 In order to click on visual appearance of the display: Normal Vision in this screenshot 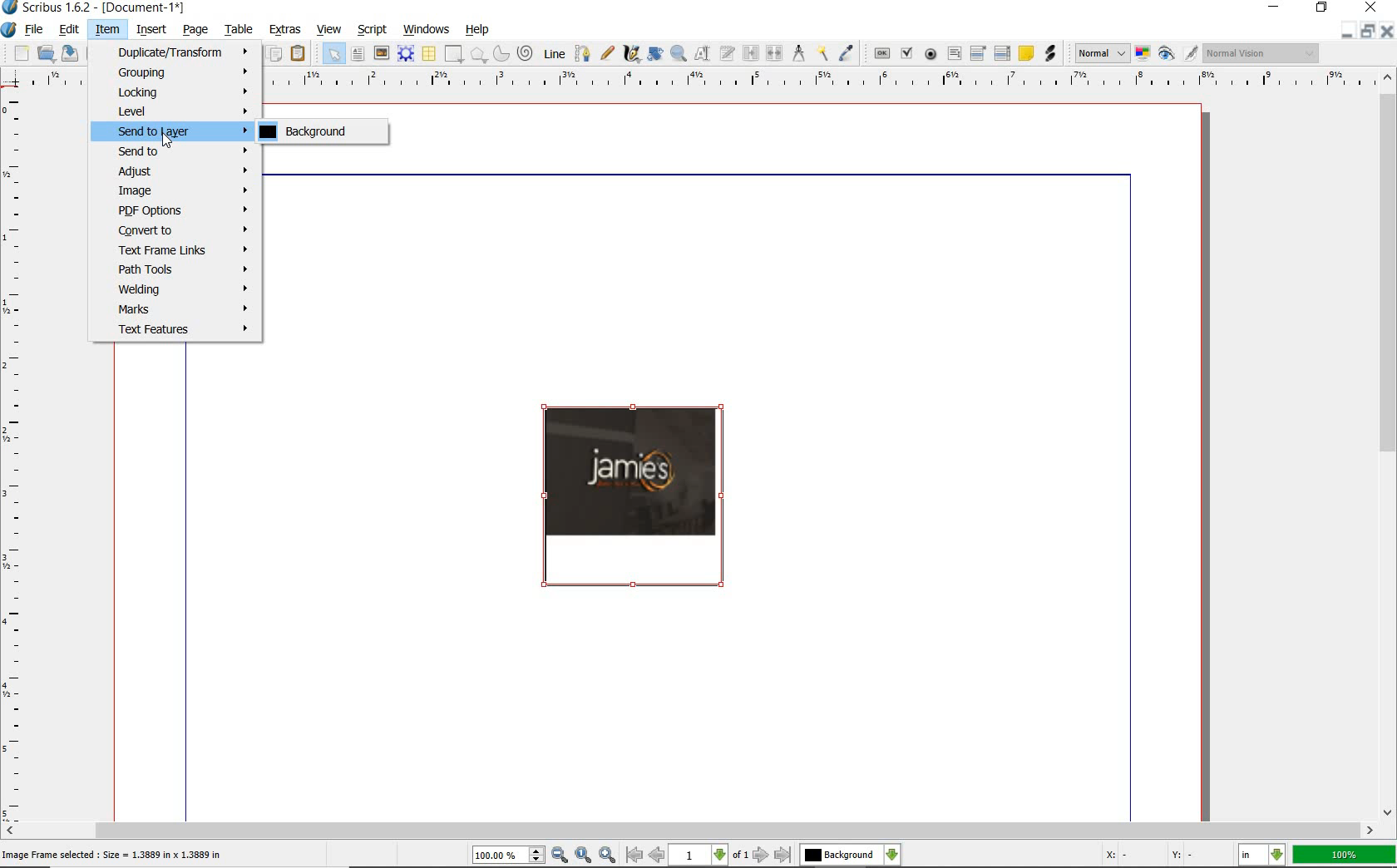, I will do `click(1260, 52)`.